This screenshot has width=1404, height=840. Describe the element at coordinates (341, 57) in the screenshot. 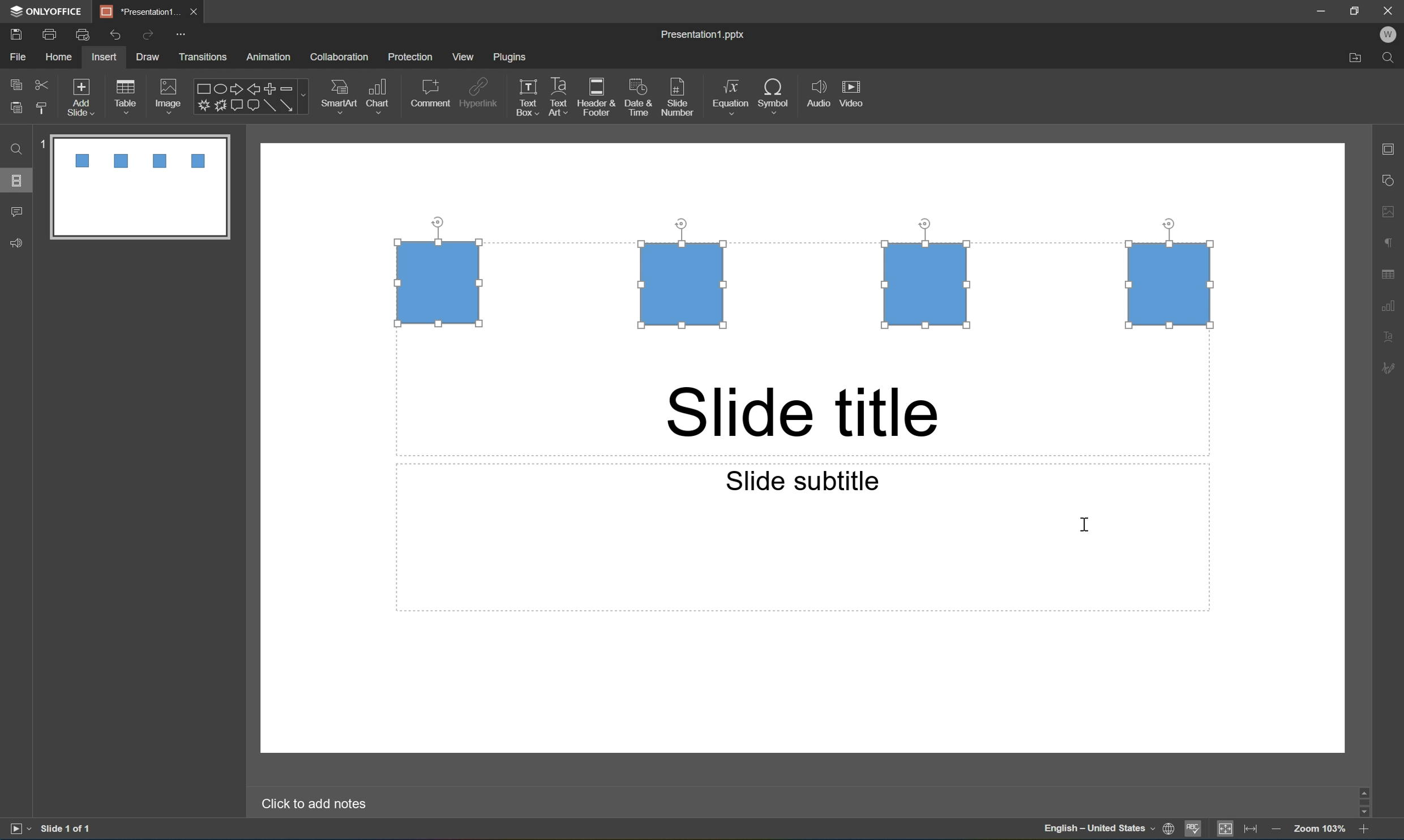

I see `collaboration` at that location.